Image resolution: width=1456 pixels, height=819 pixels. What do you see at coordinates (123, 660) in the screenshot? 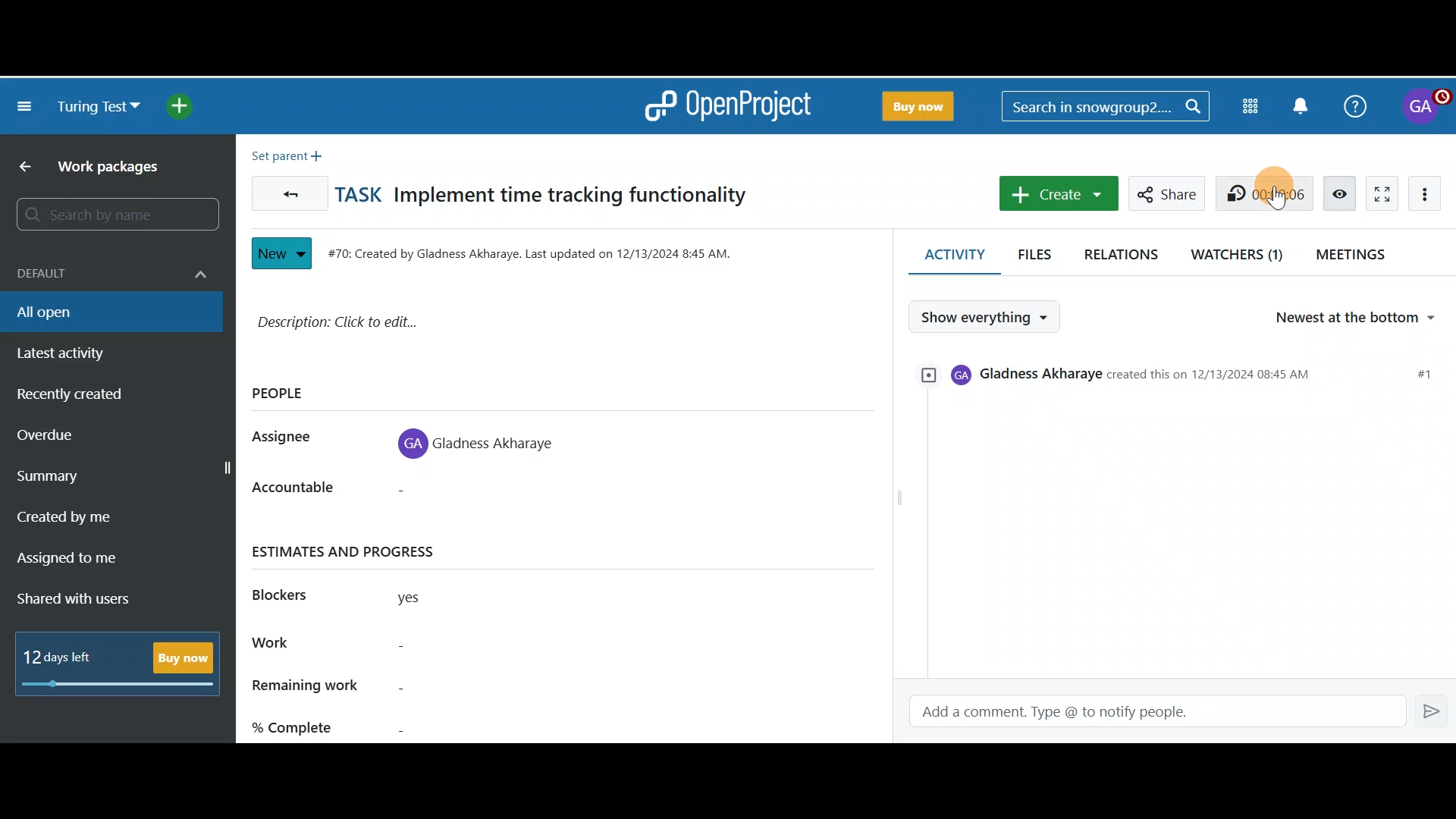
I see `12 days left - Buy Now` at bounding box center [123, 660].